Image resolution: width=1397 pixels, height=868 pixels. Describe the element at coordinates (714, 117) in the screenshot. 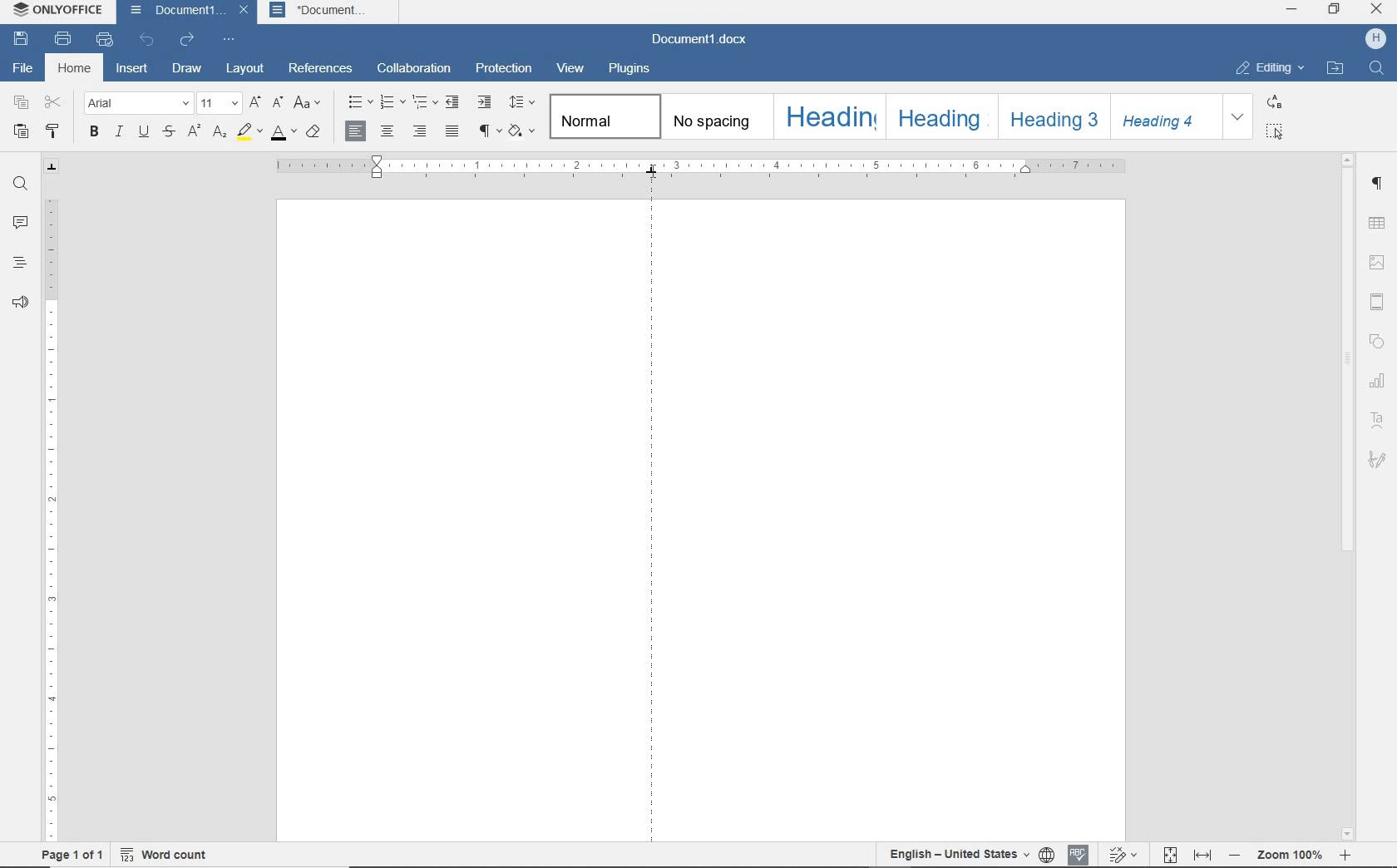

I see `NO SPACING` at that location.